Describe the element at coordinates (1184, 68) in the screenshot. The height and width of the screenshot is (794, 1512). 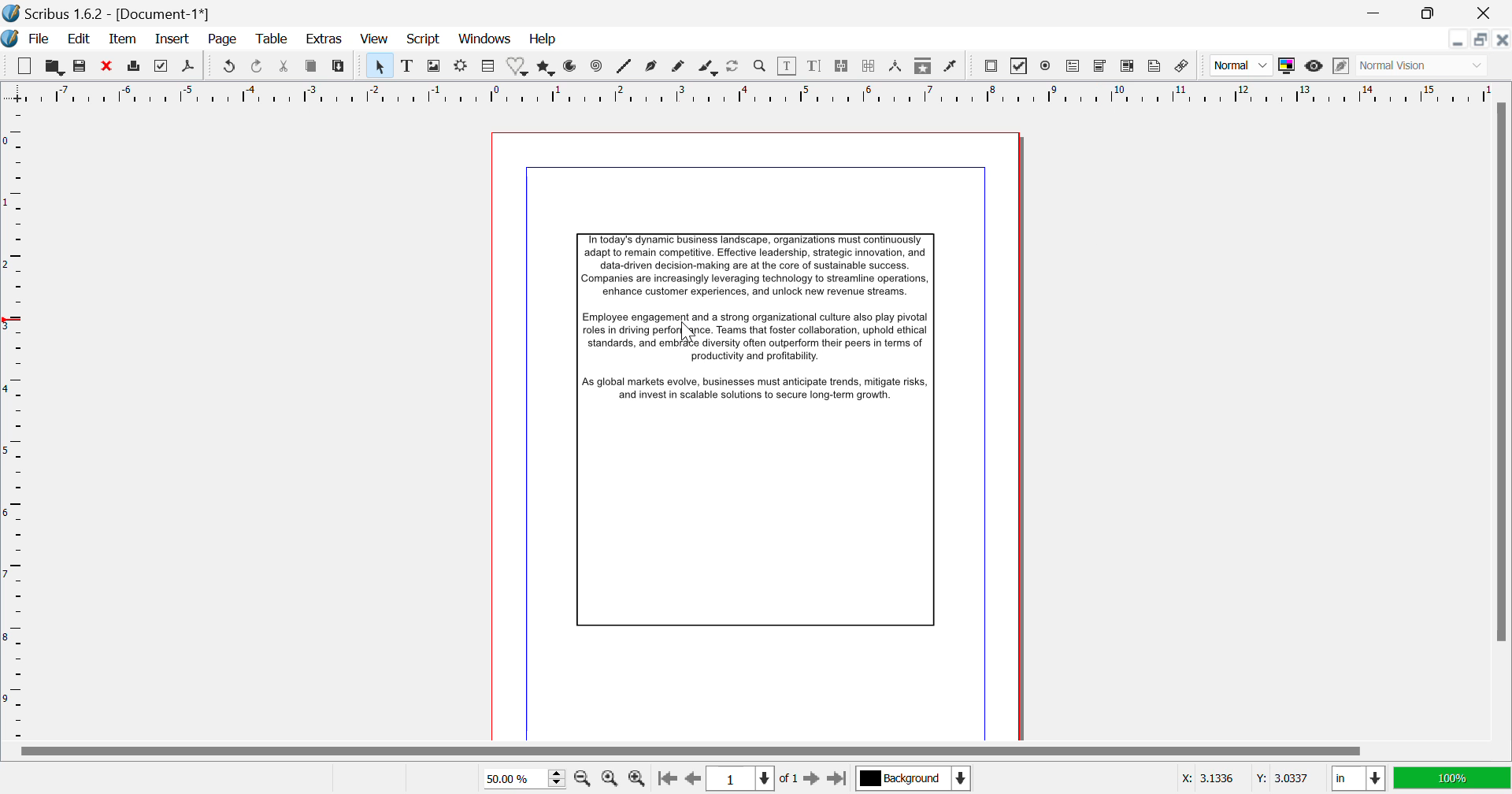
I see `Link Annotation` at that location.